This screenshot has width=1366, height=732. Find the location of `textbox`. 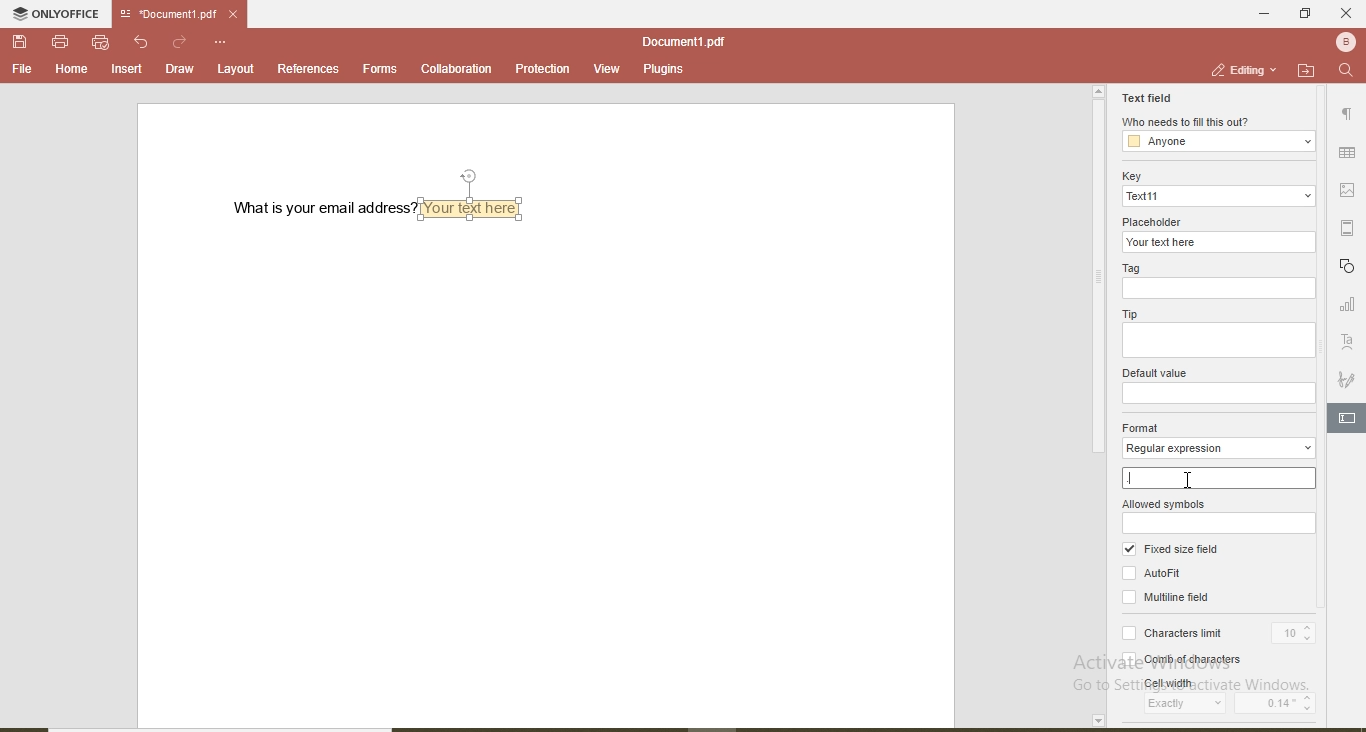

textbox is located at coordinates (476, 207).